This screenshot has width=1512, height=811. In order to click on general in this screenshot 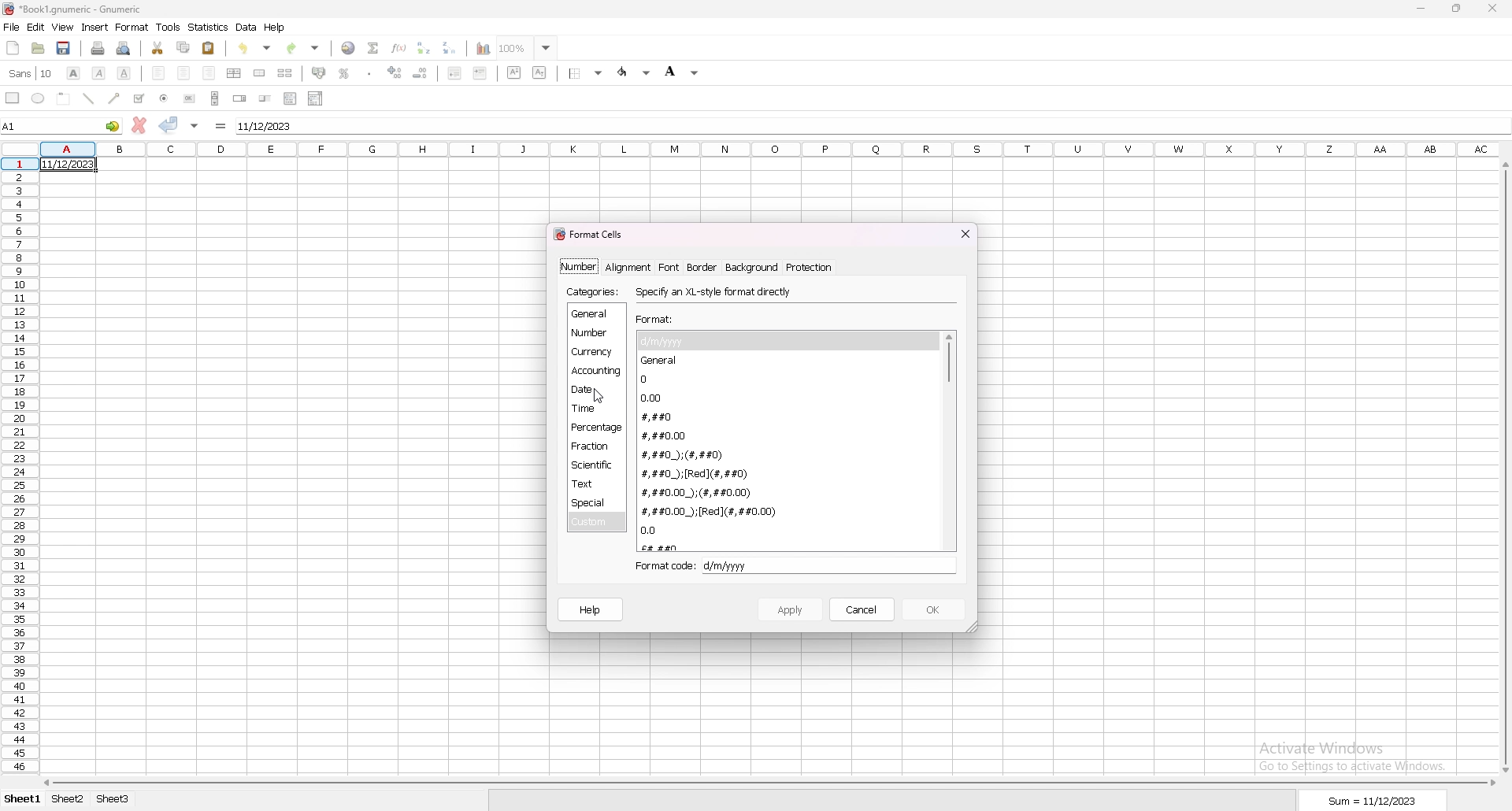, I will do `click(596, 313)`.